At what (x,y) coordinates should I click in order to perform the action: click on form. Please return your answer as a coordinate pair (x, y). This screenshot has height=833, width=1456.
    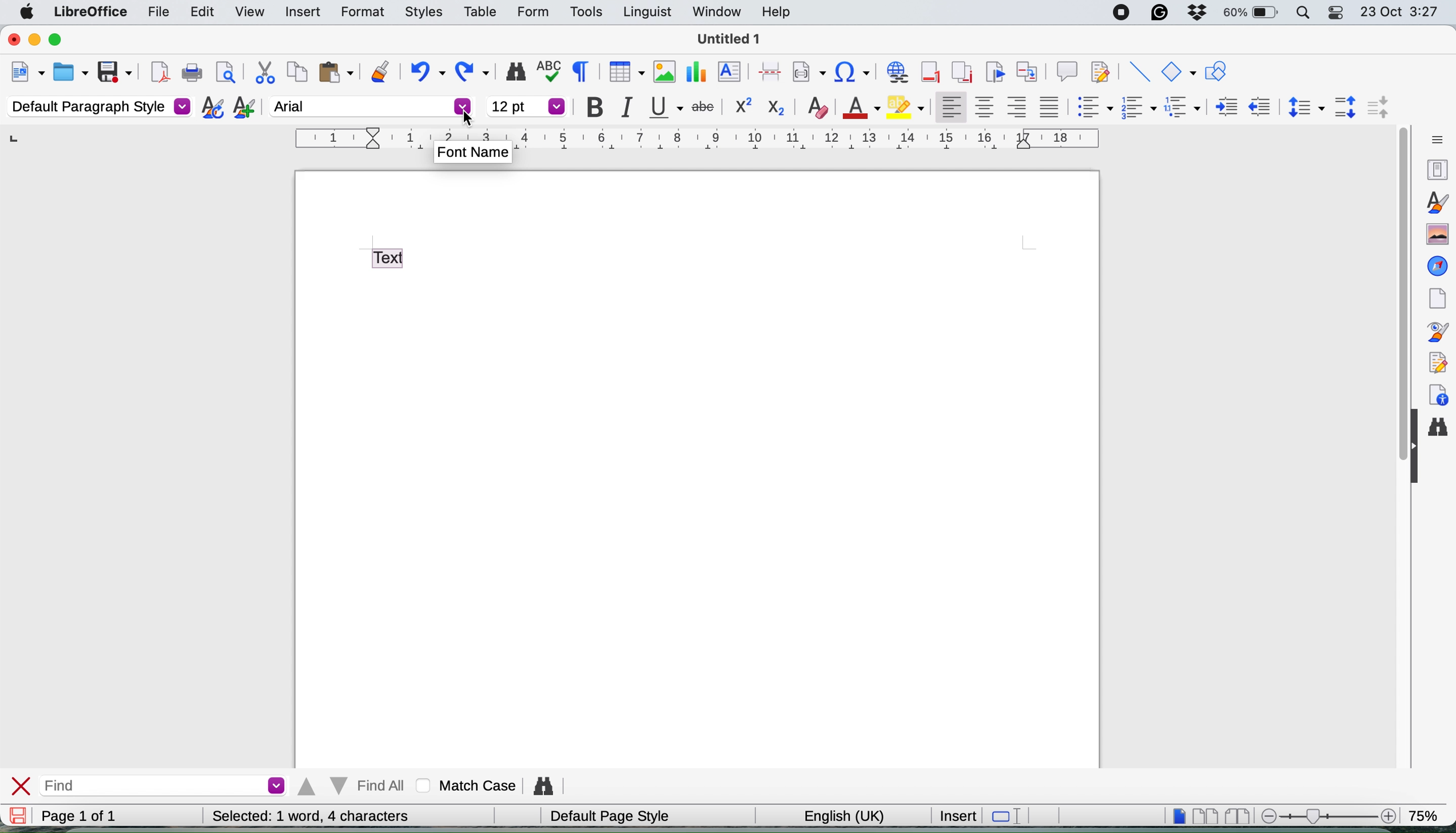
    Looking at the image, I should click on (531, 12).